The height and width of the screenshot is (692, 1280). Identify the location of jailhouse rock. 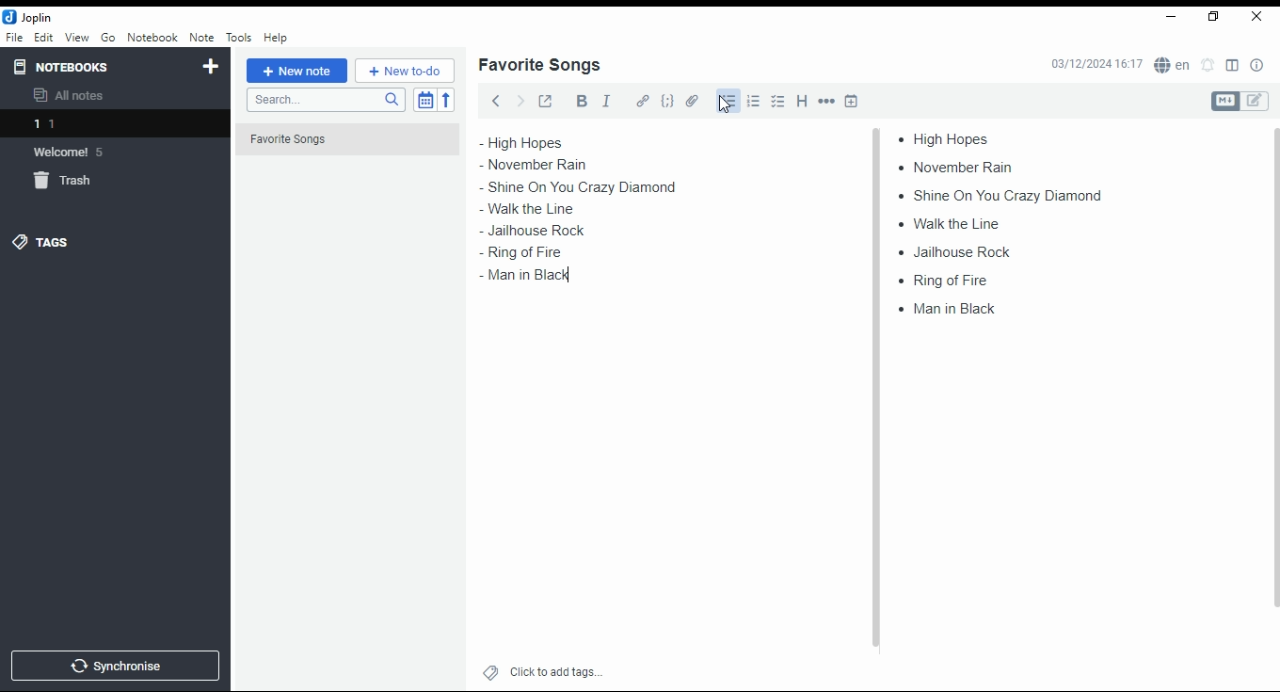
(958, 253).